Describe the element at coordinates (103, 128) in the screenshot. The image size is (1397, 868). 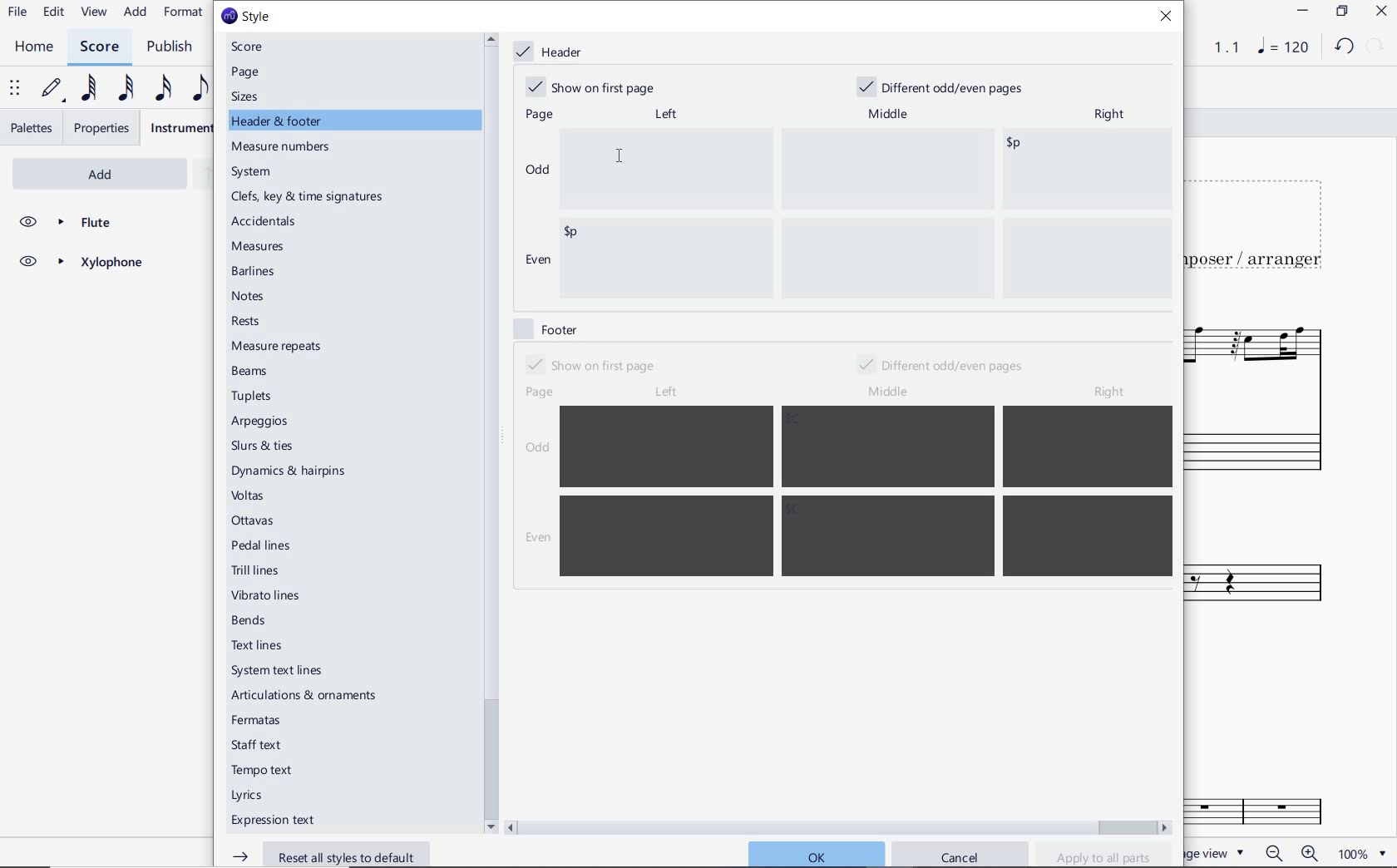
I see `PROPERTIES` at that location.